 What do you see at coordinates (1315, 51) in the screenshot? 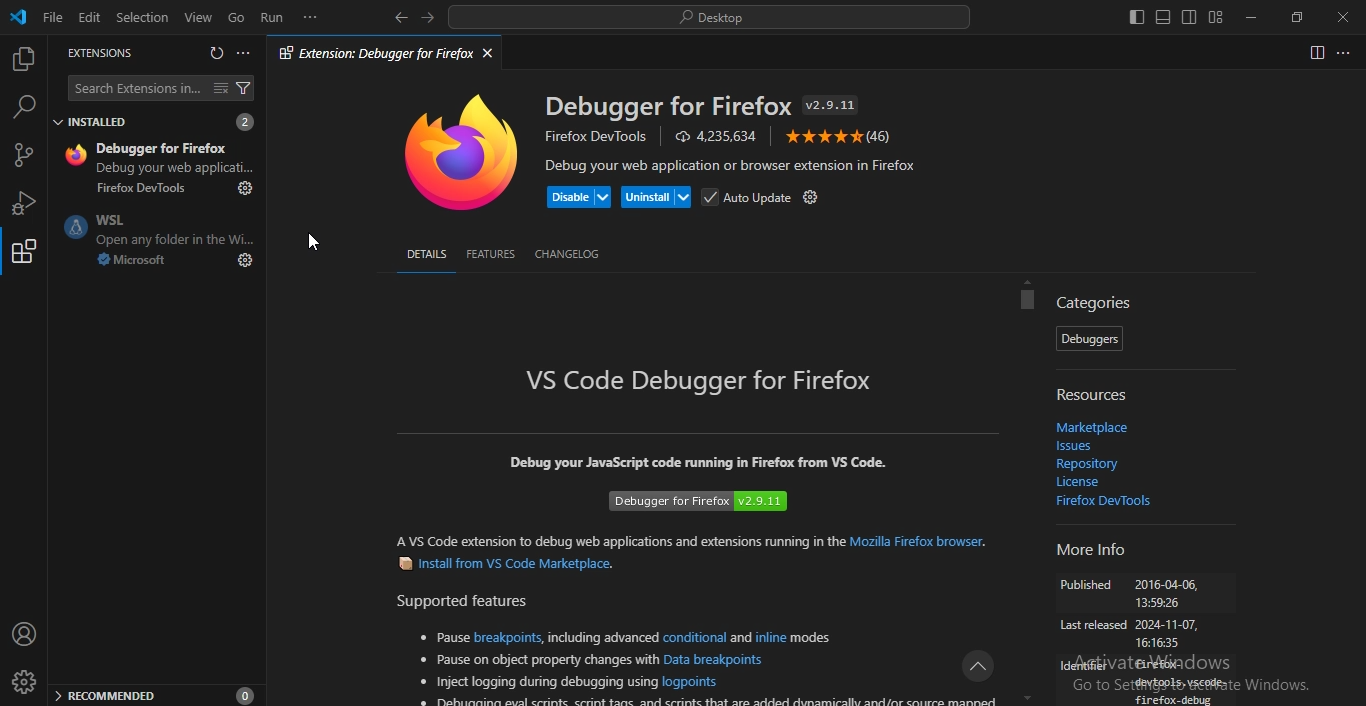
I see `spilt editor` at bounding box center [1315, 51].